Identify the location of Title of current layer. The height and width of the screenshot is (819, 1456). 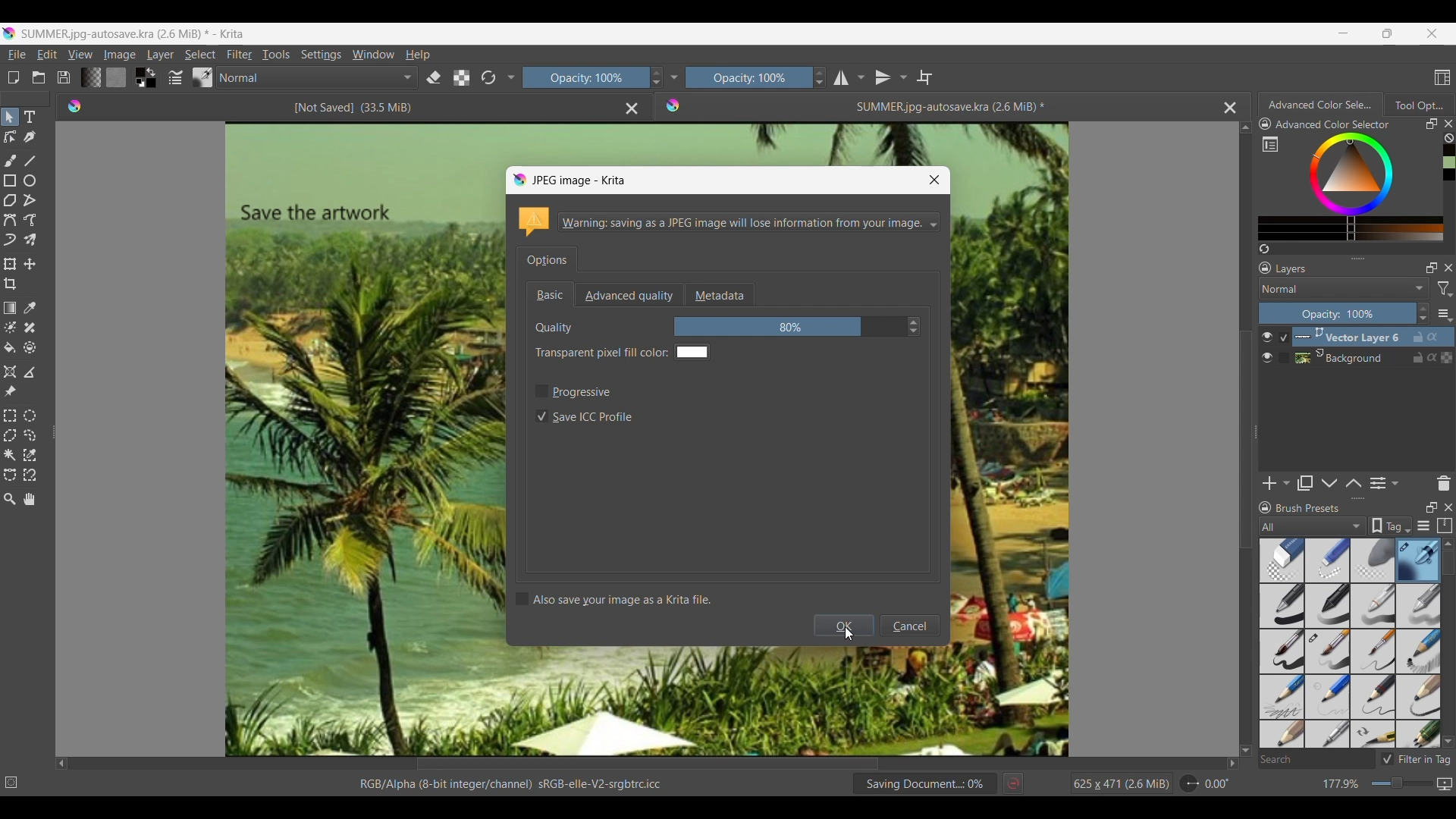
(1291, 268).